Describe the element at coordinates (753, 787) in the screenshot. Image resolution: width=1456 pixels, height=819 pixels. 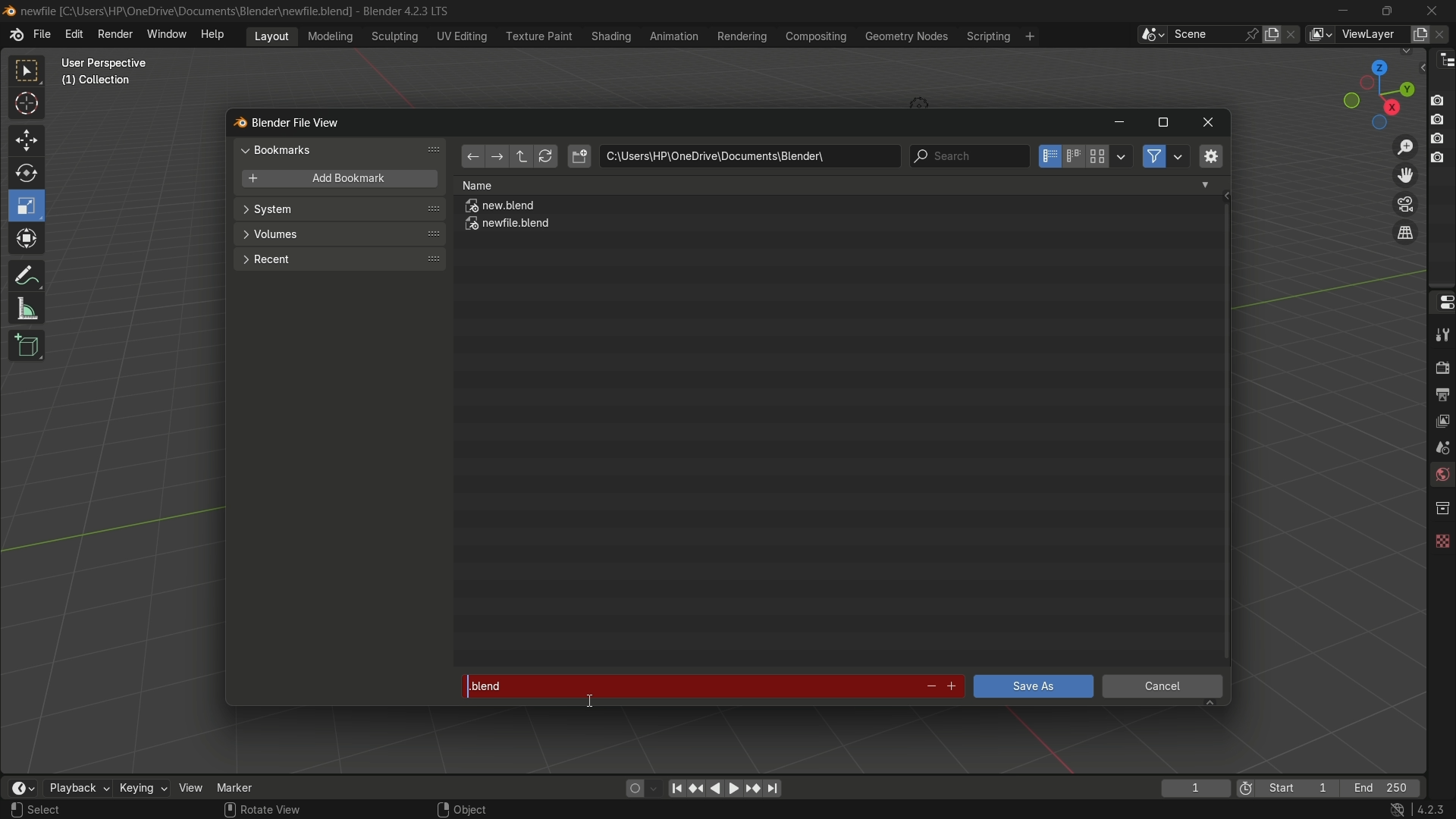
I see `jump to keyframe` at that location.